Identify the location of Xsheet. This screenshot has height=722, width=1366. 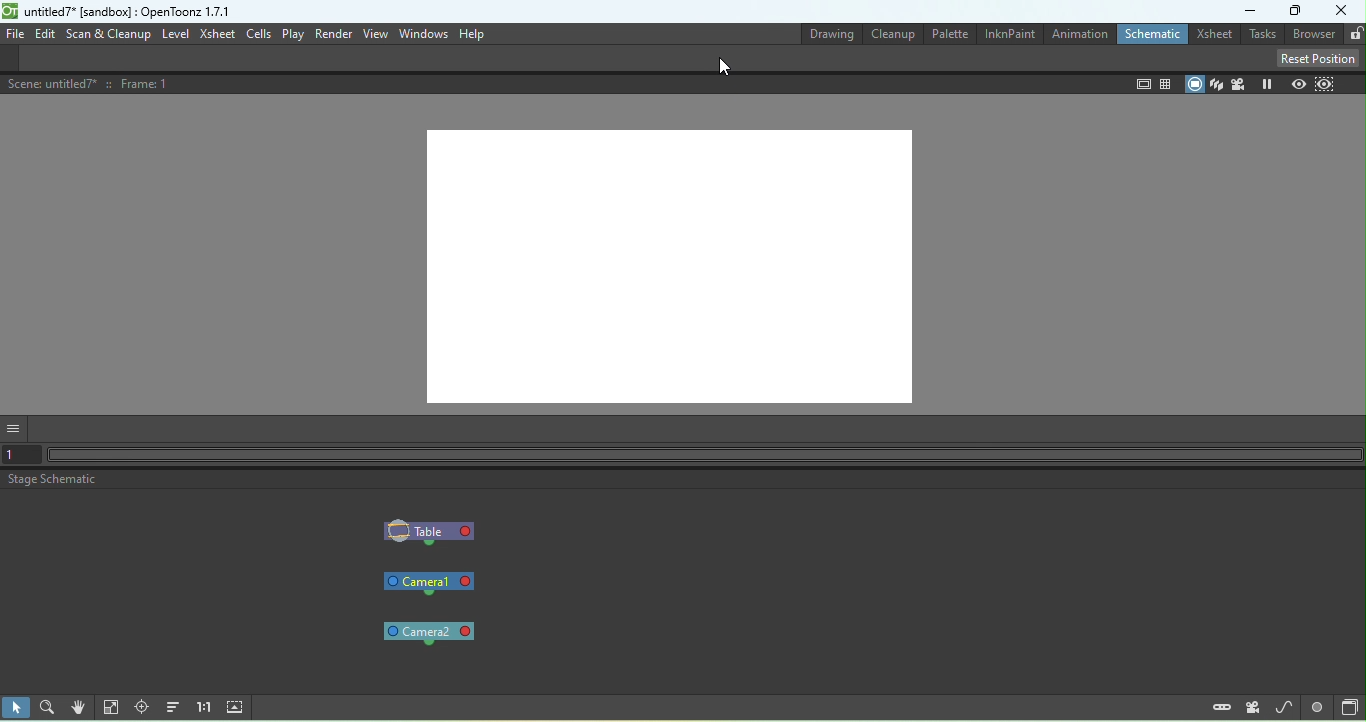
(1216, 34).